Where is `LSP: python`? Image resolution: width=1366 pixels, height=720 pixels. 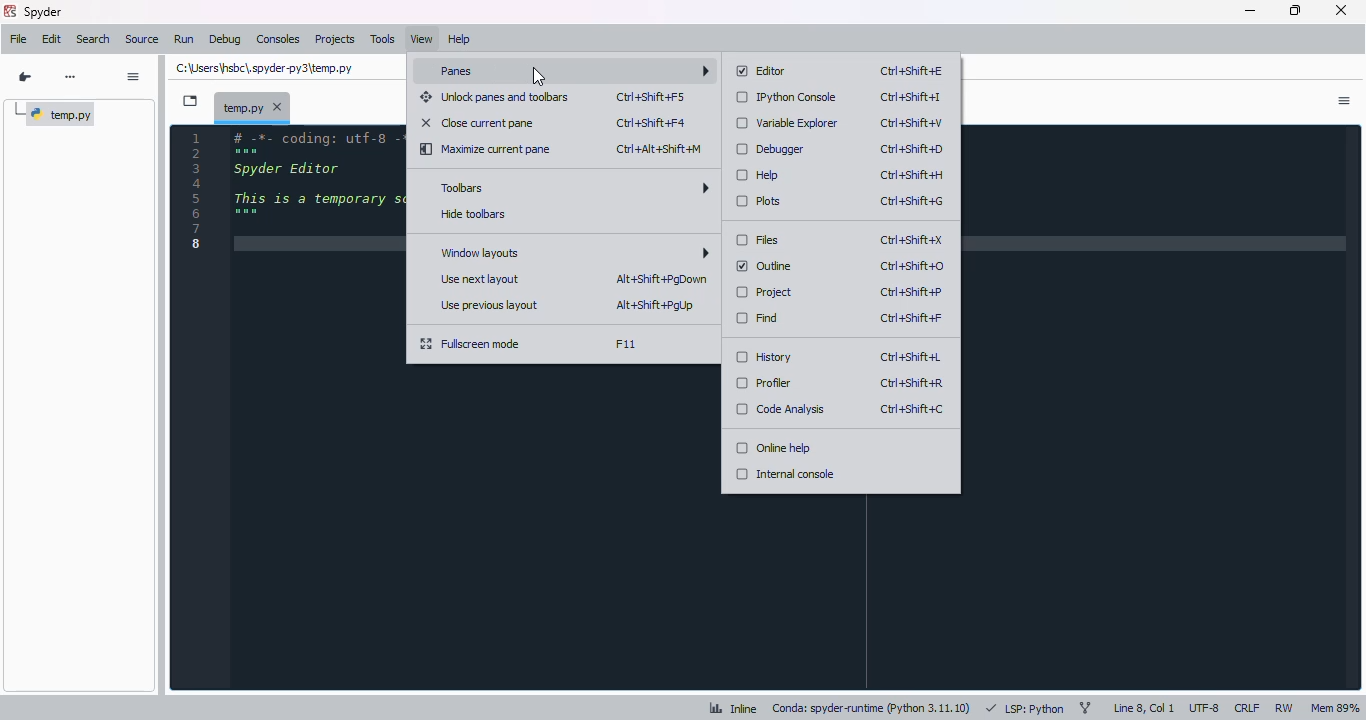
LSP: python is located at coordinates (1024, 708).